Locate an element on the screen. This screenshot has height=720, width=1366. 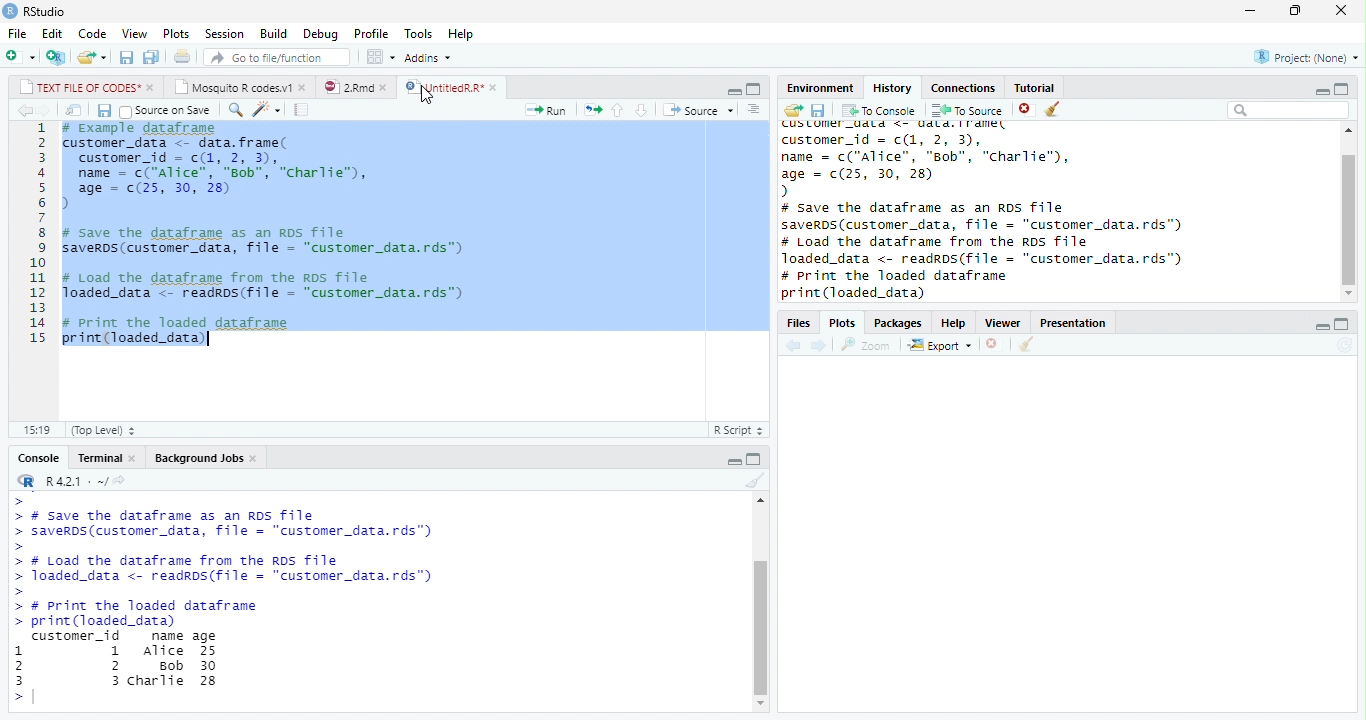
scroll up is located at coordinates (759, 501).